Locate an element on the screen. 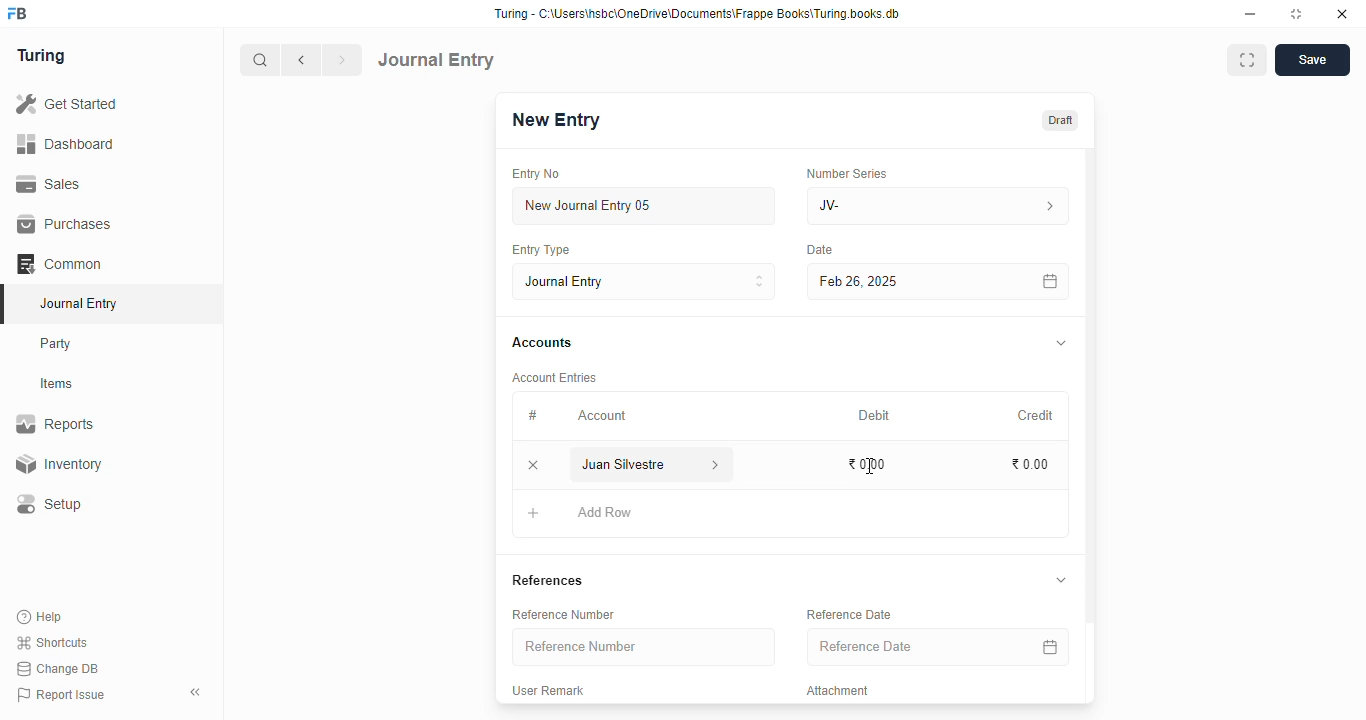 The width and height of the screenshot is (1366, 720). journal entry is located at coordinates (645, 281).